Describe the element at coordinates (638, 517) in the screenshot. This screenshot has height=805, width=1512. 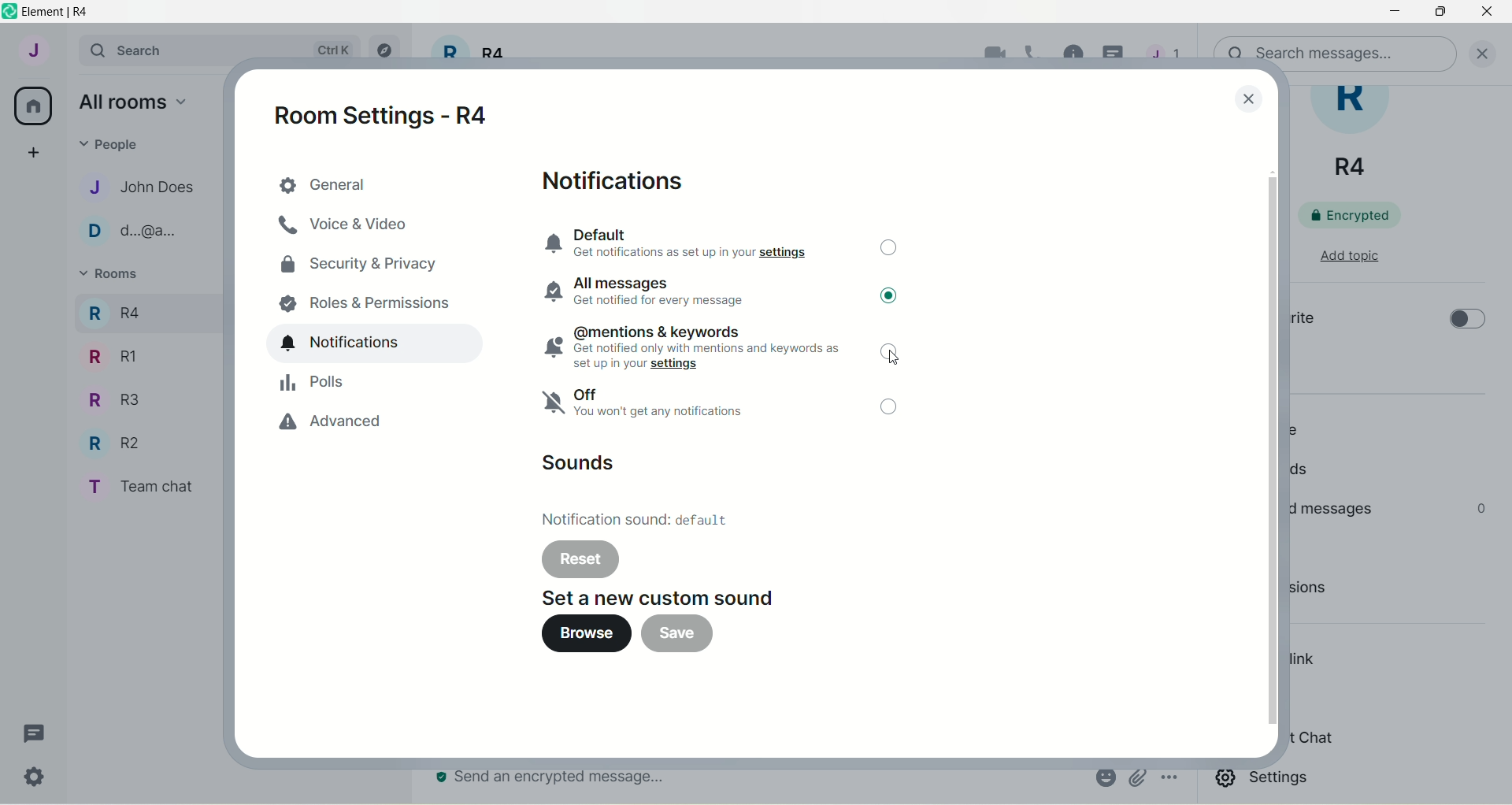
I see `Notification sound: default` at that location.